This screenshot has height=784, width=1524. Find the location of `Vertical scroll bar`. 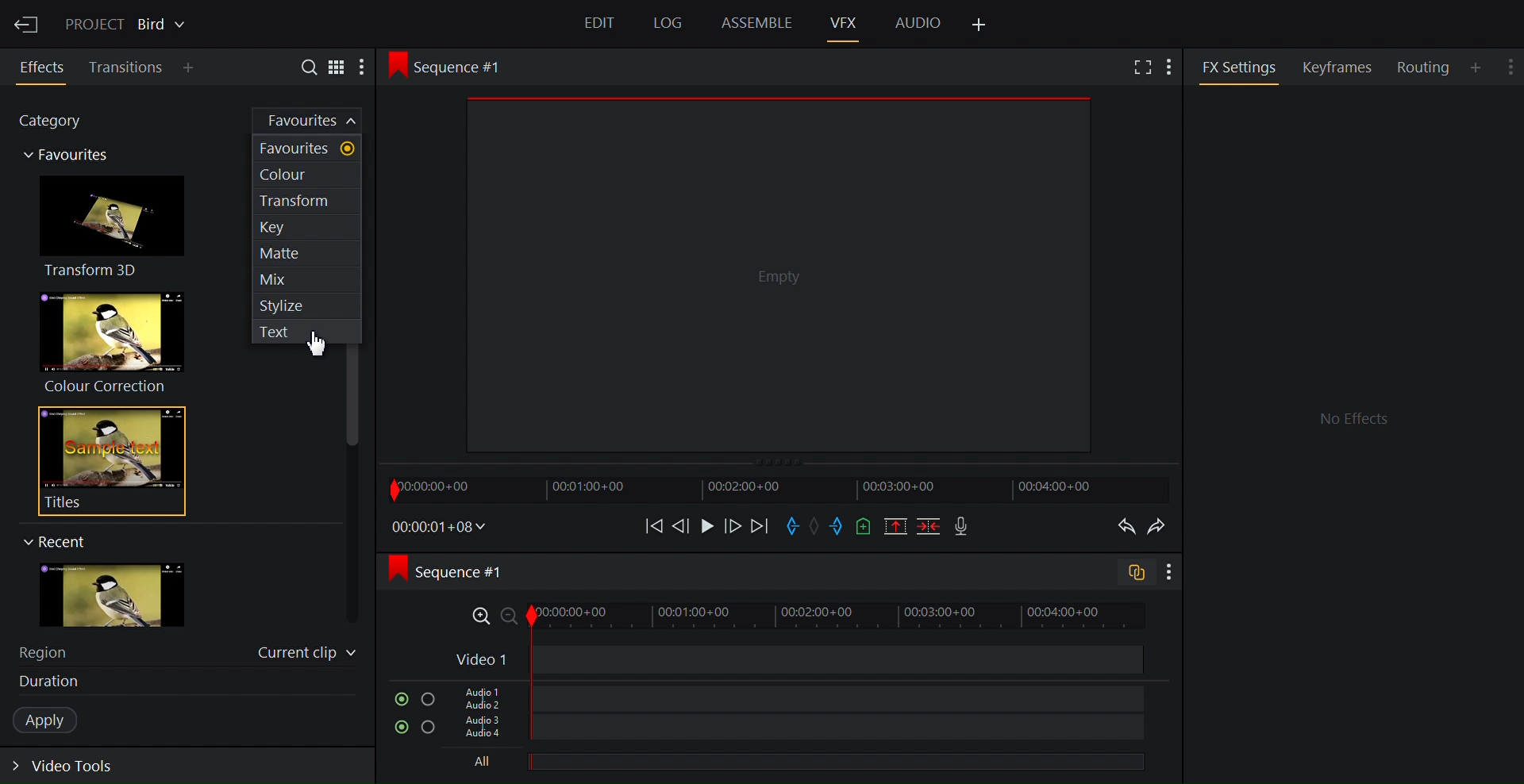

Vertical scroll bar is located at coordinates (354, 397).